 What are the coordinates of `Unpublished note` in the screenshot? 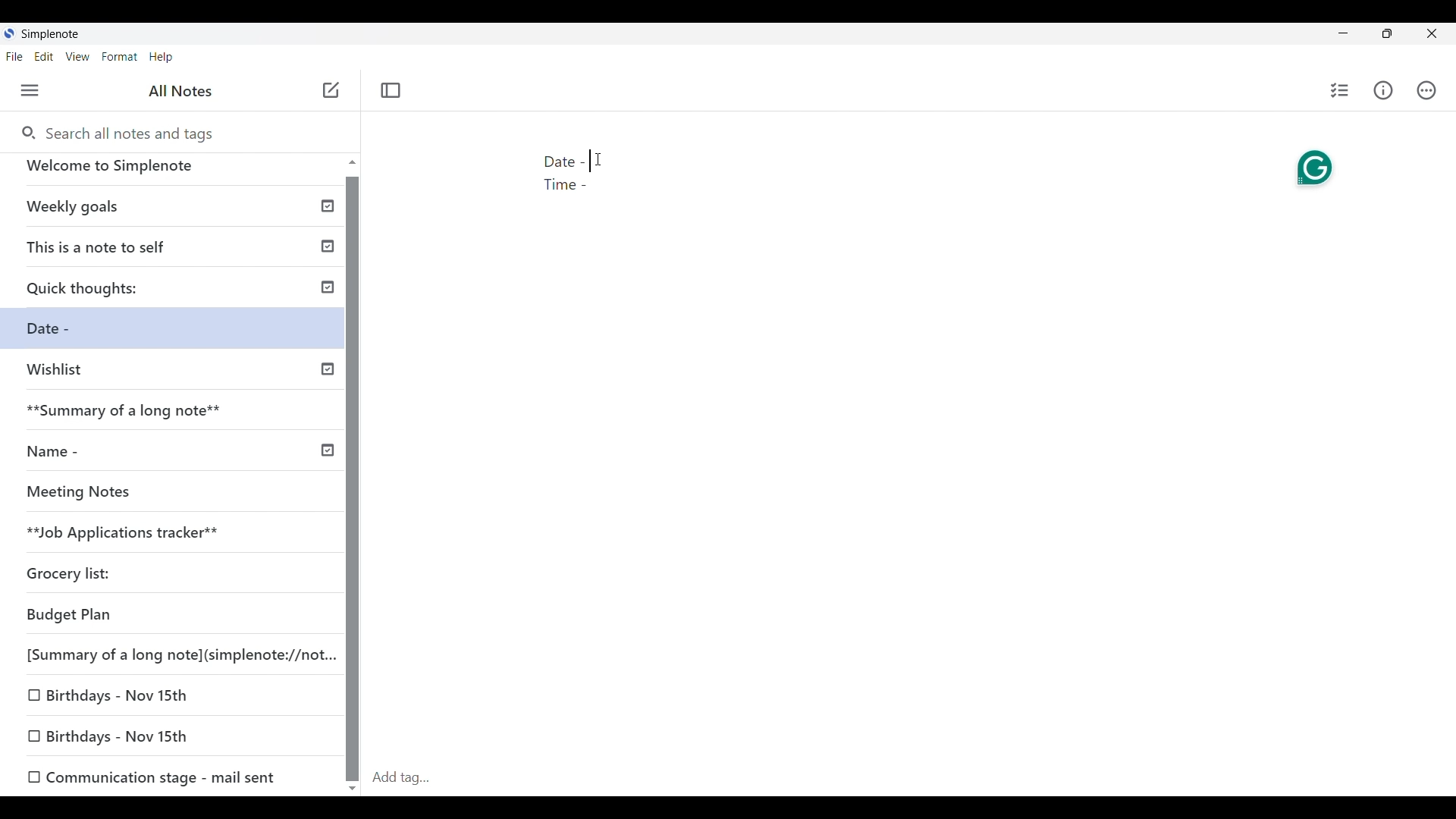 It's located at (174, 652).